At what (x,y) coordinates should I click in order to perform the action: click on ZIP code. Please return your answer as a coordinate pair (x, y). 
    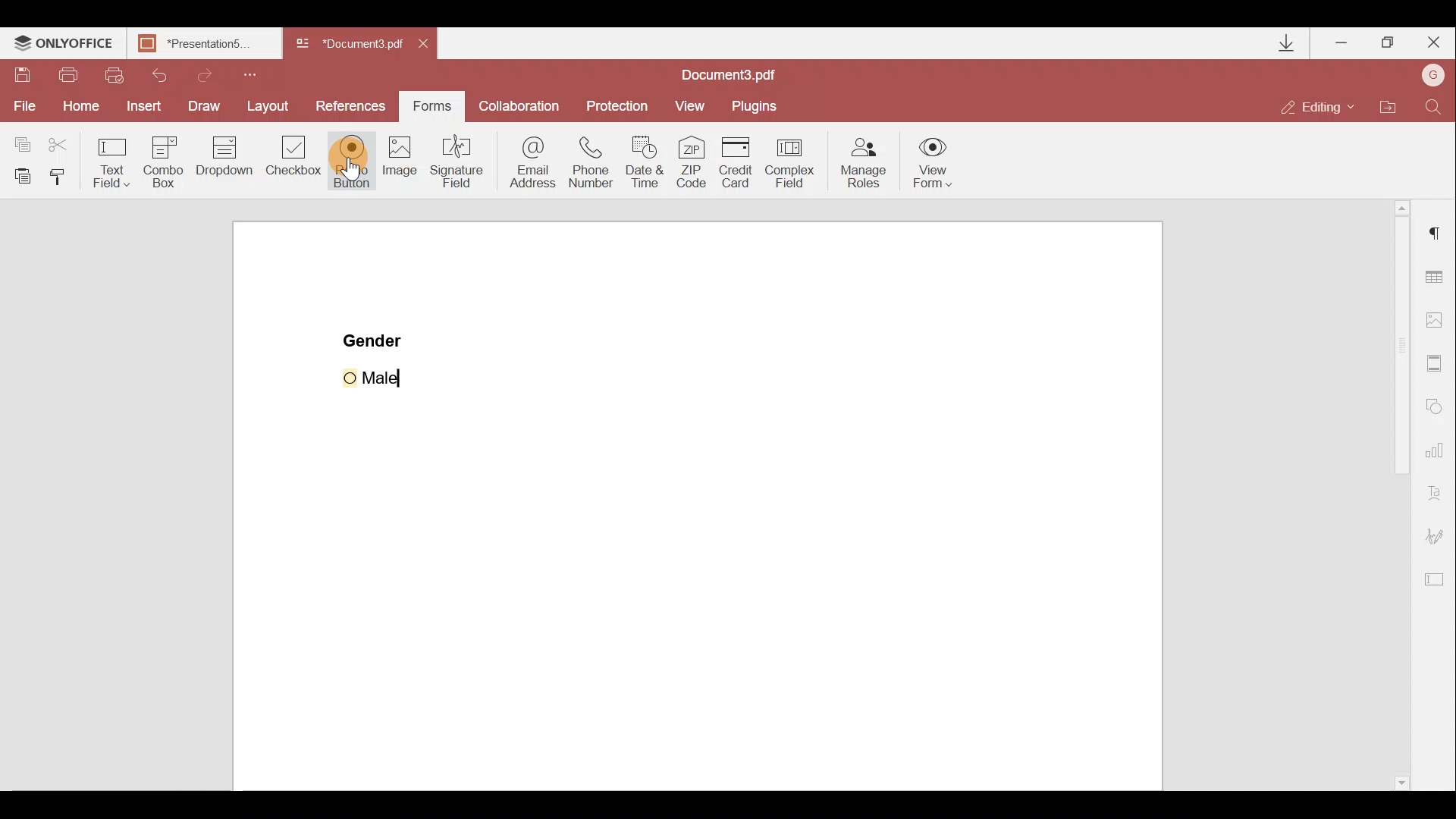
    Looking at the image, I should click on (692, 162).